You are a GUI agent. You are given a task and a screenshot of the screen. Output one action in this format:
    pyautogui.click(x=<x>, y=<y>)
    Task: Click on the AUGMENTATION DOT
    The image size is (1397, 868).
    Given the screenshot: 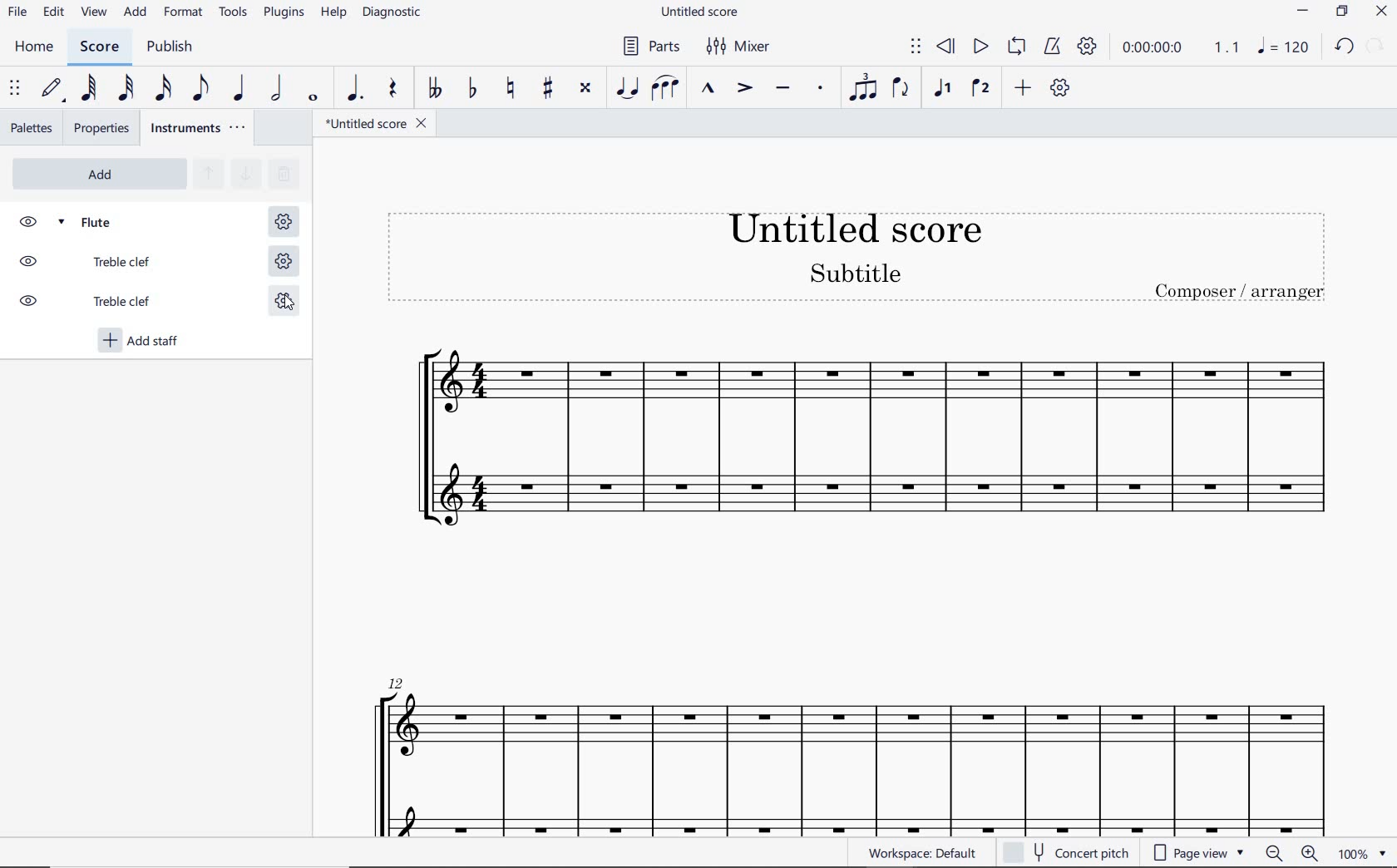 What is the action you would take?
    pyautogui.click(x=353, y=90)
    